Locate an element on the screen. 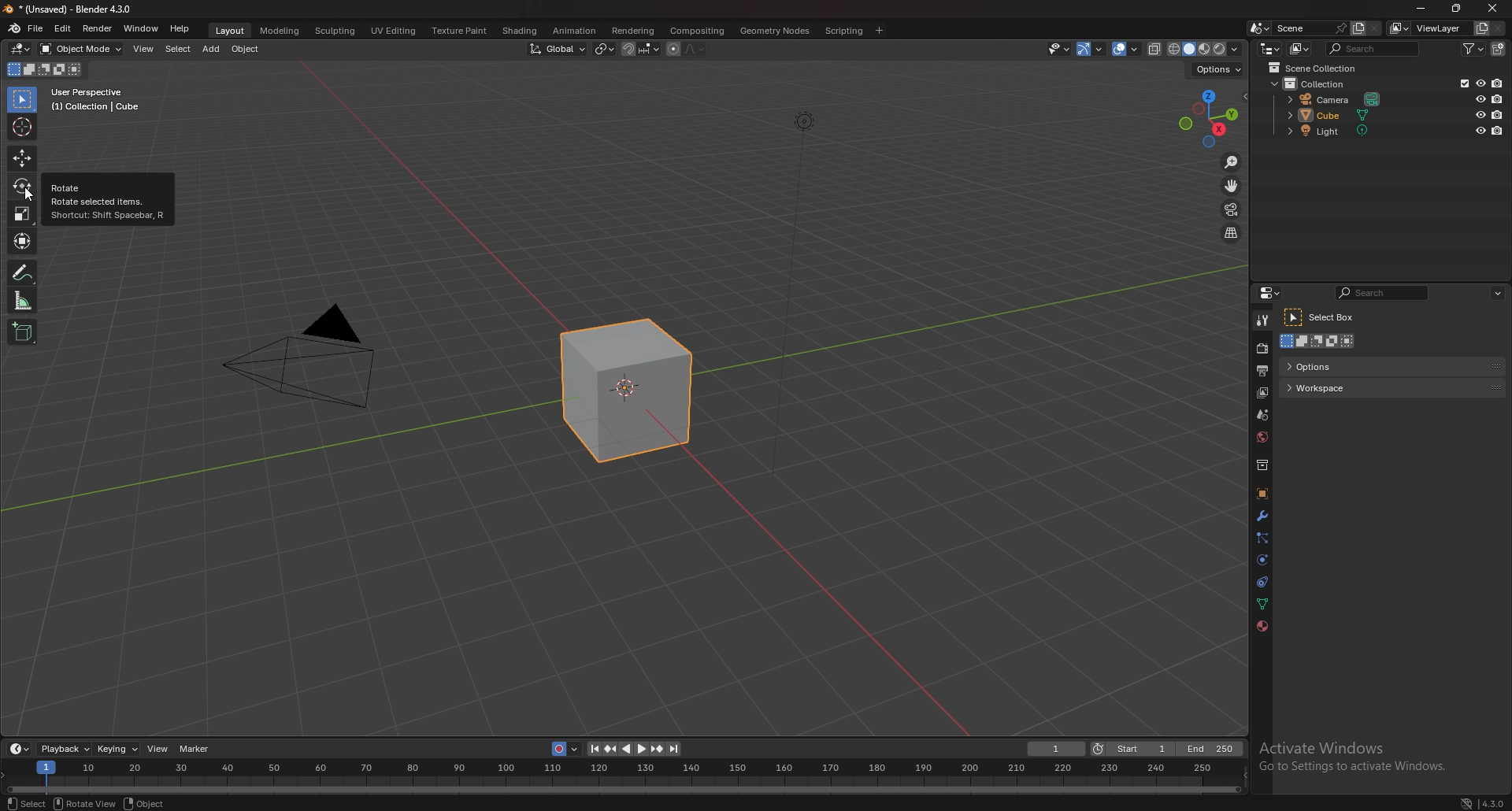  editor type is located at coordinates (1273, 292).